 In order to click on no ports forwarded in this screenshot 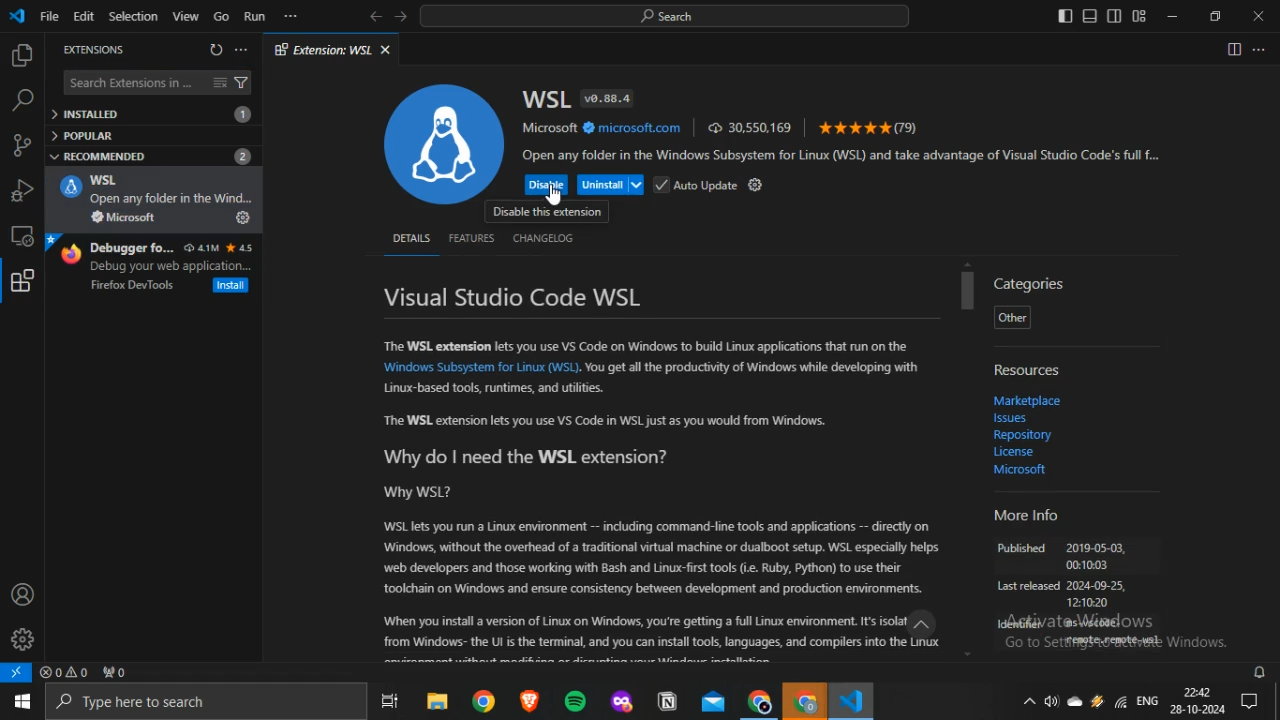, I will do `click(115, 672)`.